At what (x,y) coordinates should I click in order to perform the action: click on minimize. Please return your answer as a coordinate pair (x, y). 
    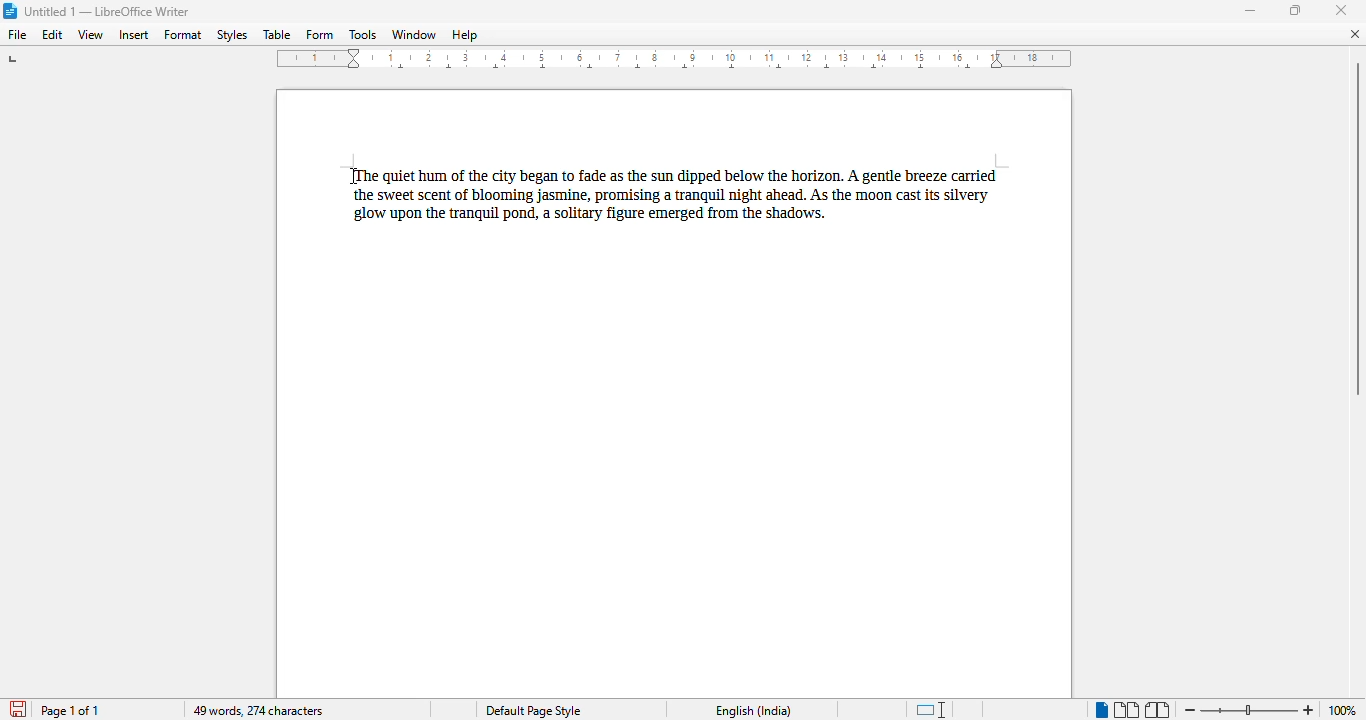
    Looking at the image, I should click on (1251, 12).